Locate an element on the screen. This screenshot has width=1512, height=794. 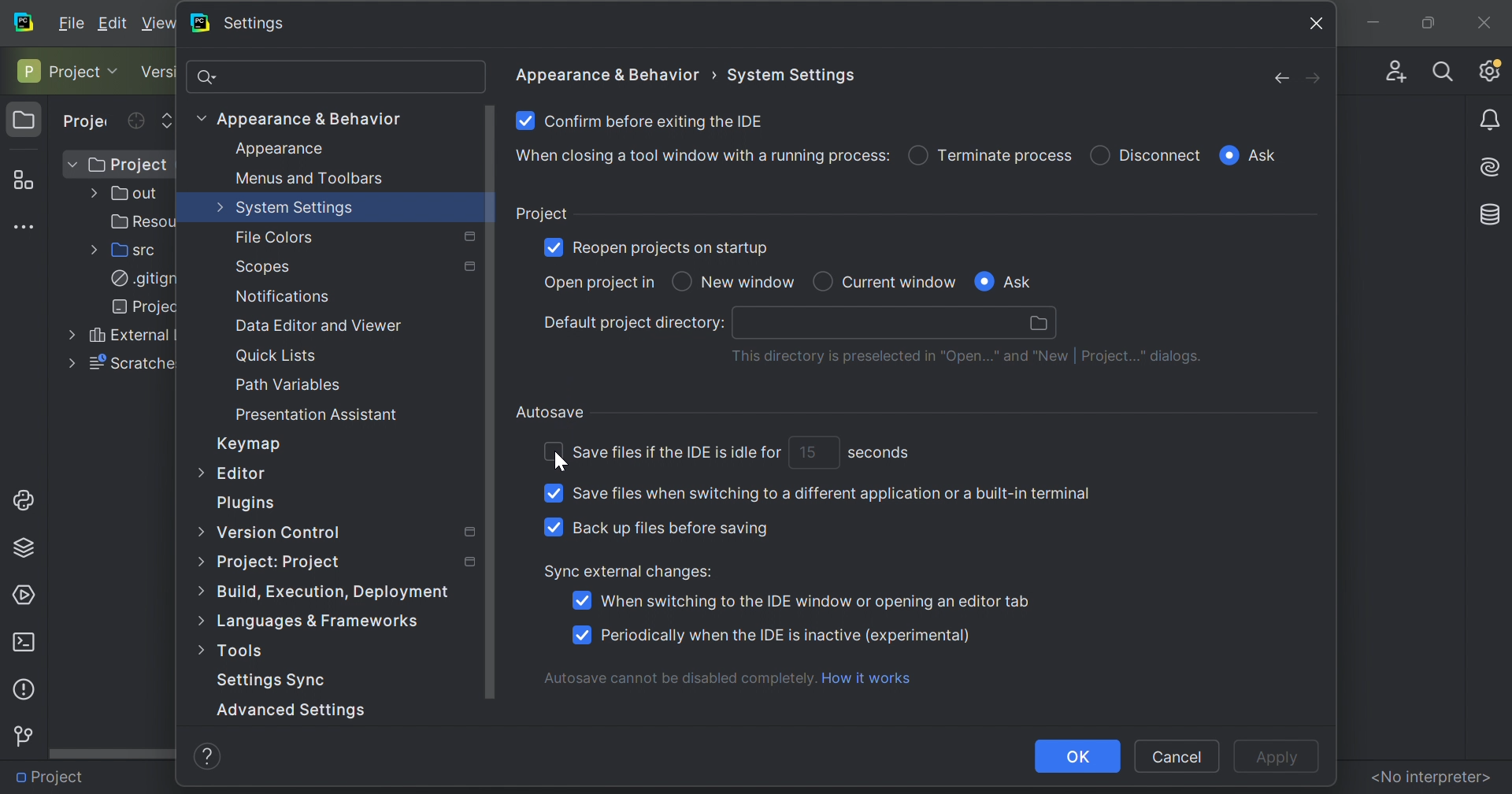
Checkbox is located at coordinates (580, 634).